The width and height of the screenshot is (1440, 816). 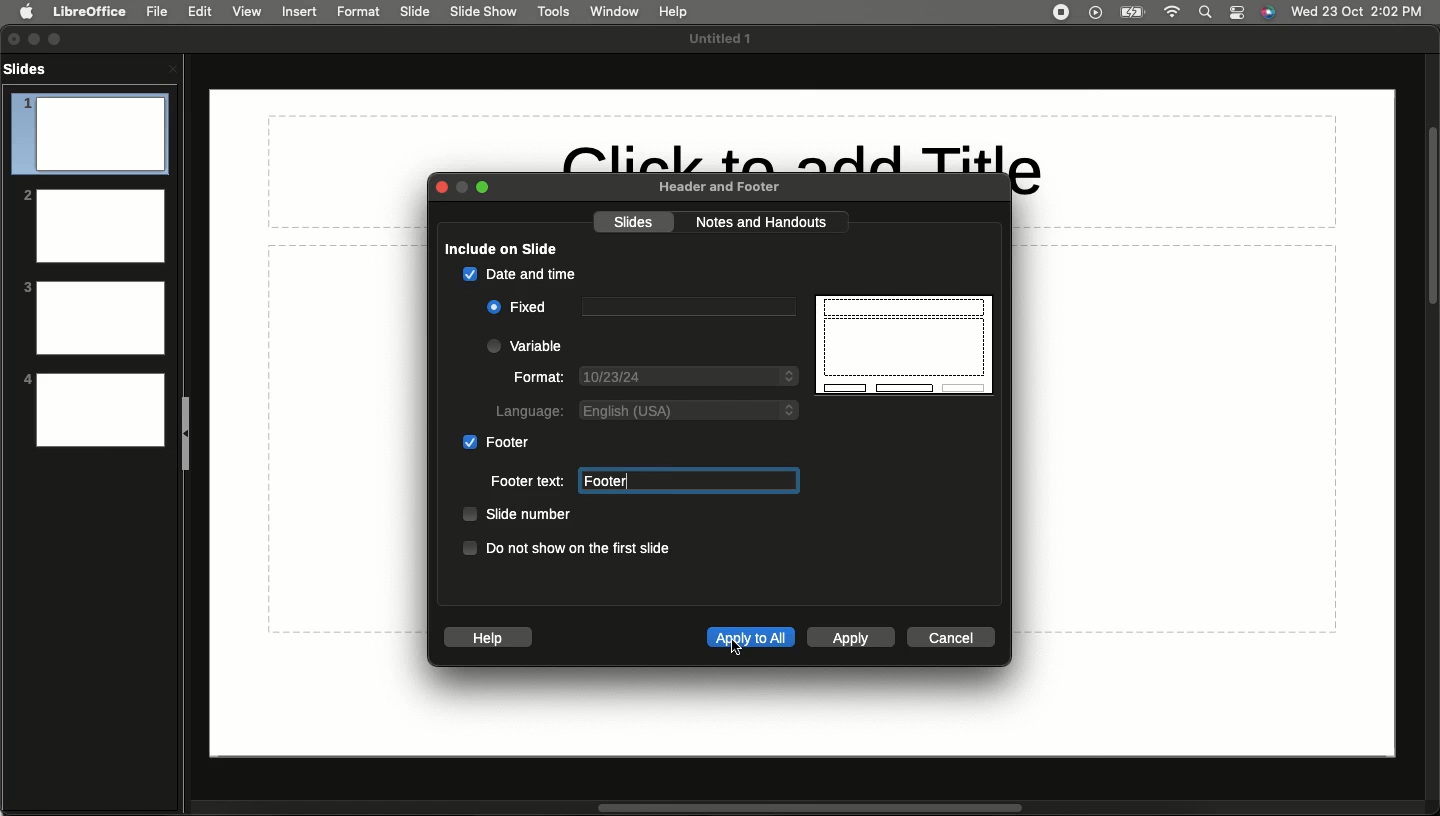 I want to click on Internet, so click(x=1175, y=12).